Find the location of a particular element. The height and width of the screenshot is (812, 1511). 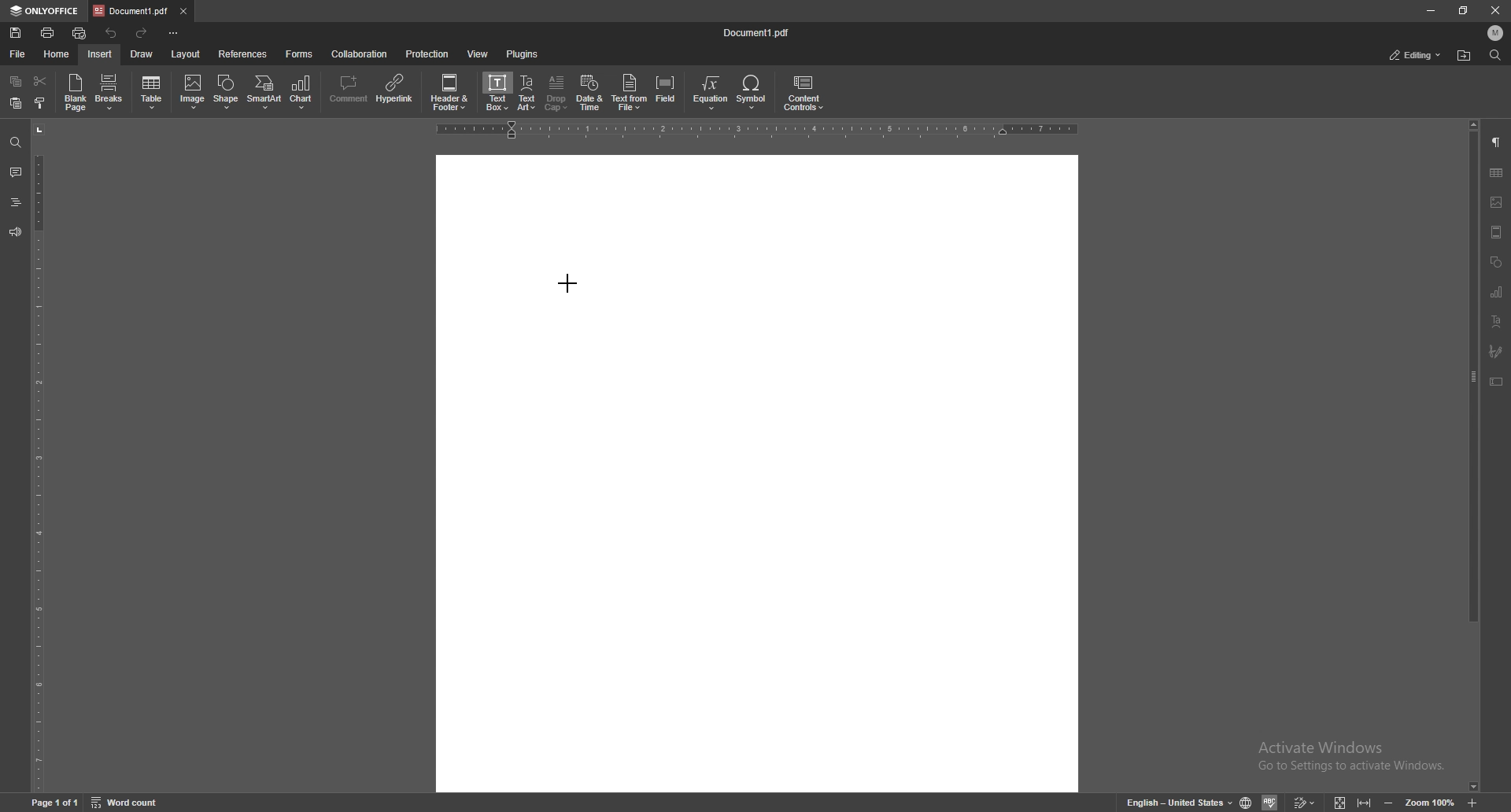

file is located at coordinates (17, 54).